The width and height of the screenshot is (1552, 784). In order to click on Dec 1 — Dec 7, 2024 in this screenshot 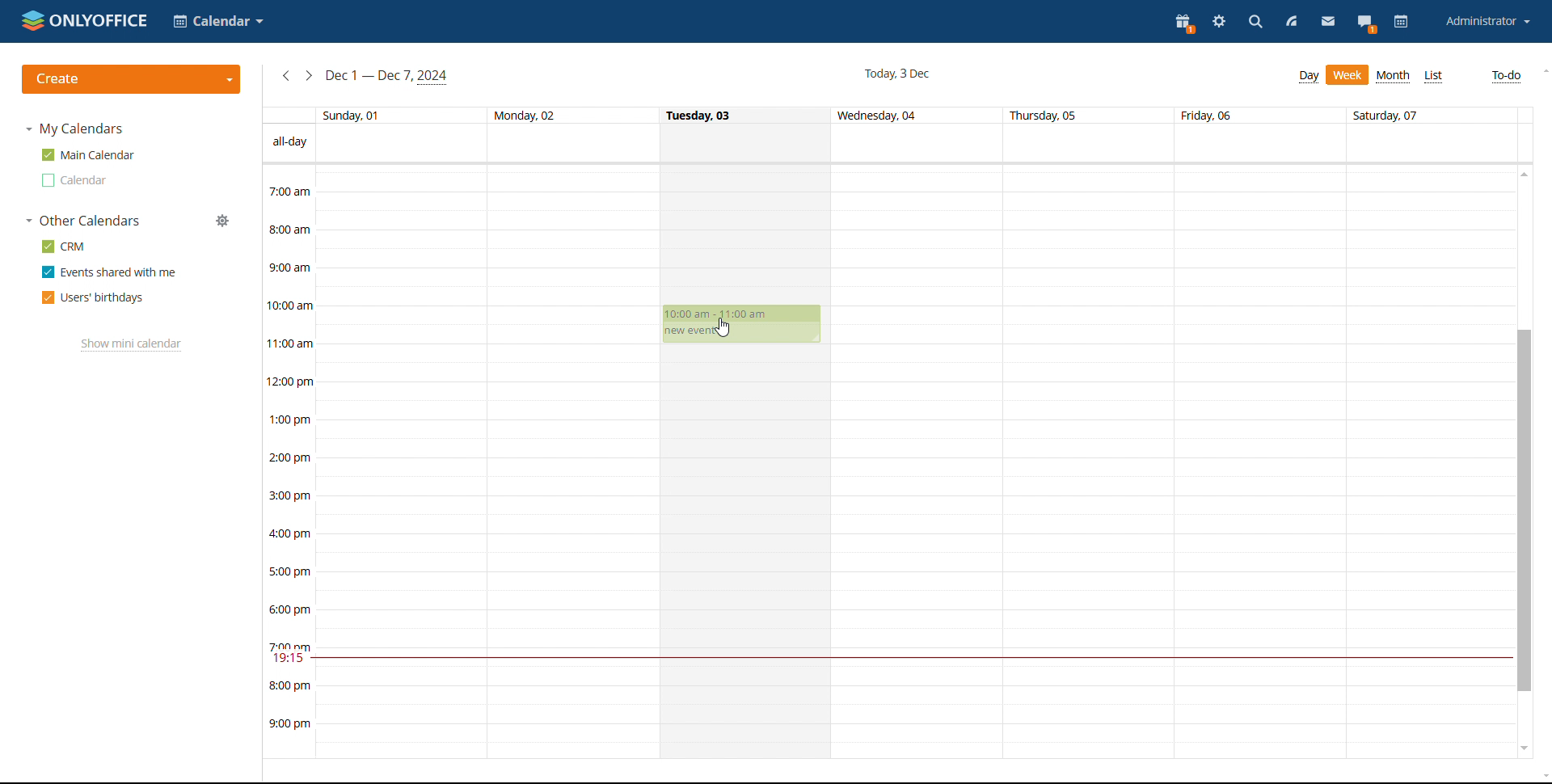, I will do `click(390, 76)`.